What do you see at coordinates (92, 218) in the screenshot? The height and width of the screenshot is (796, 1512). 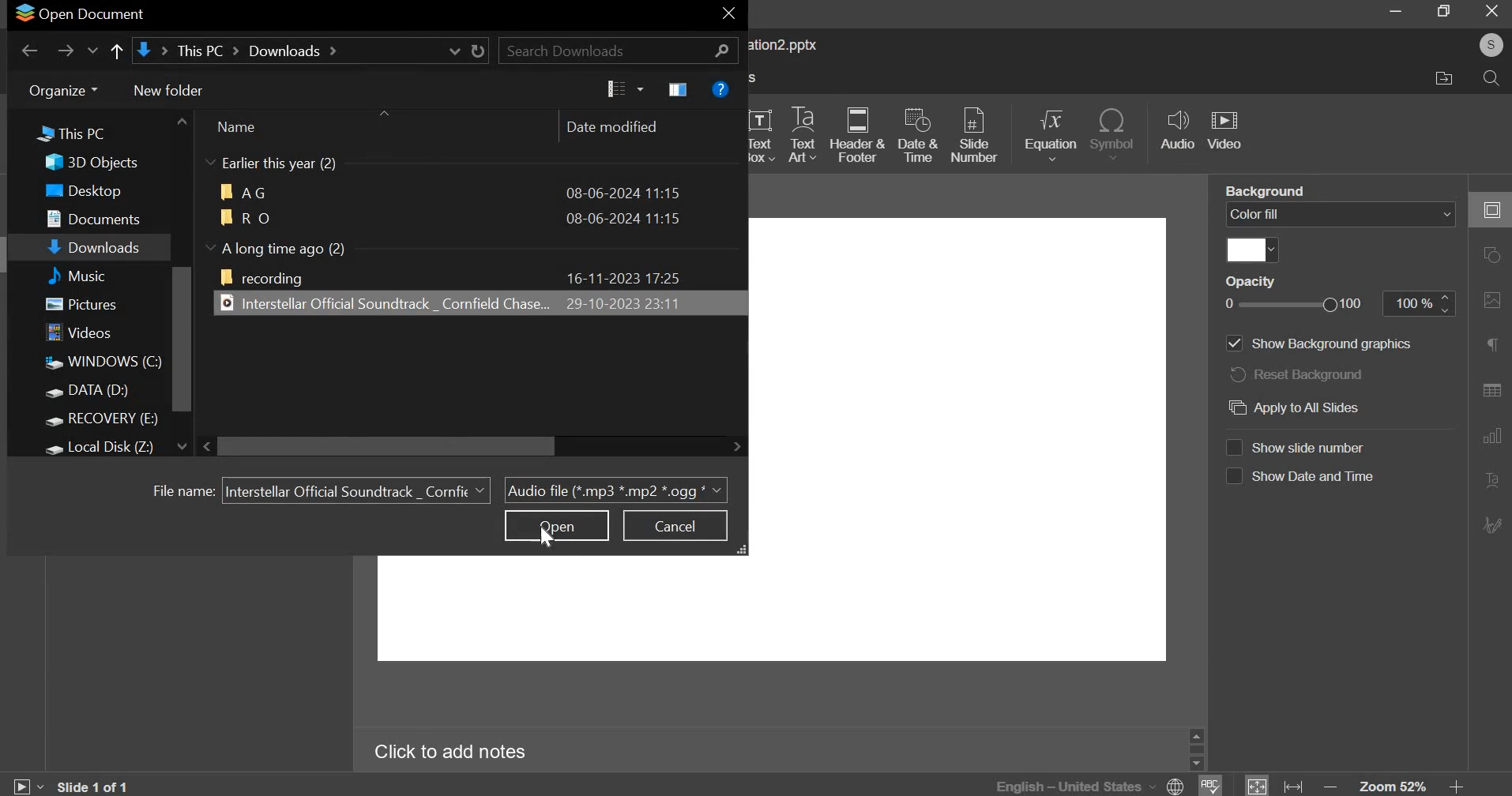 I see `Documents` at bounding box center [92, 218].